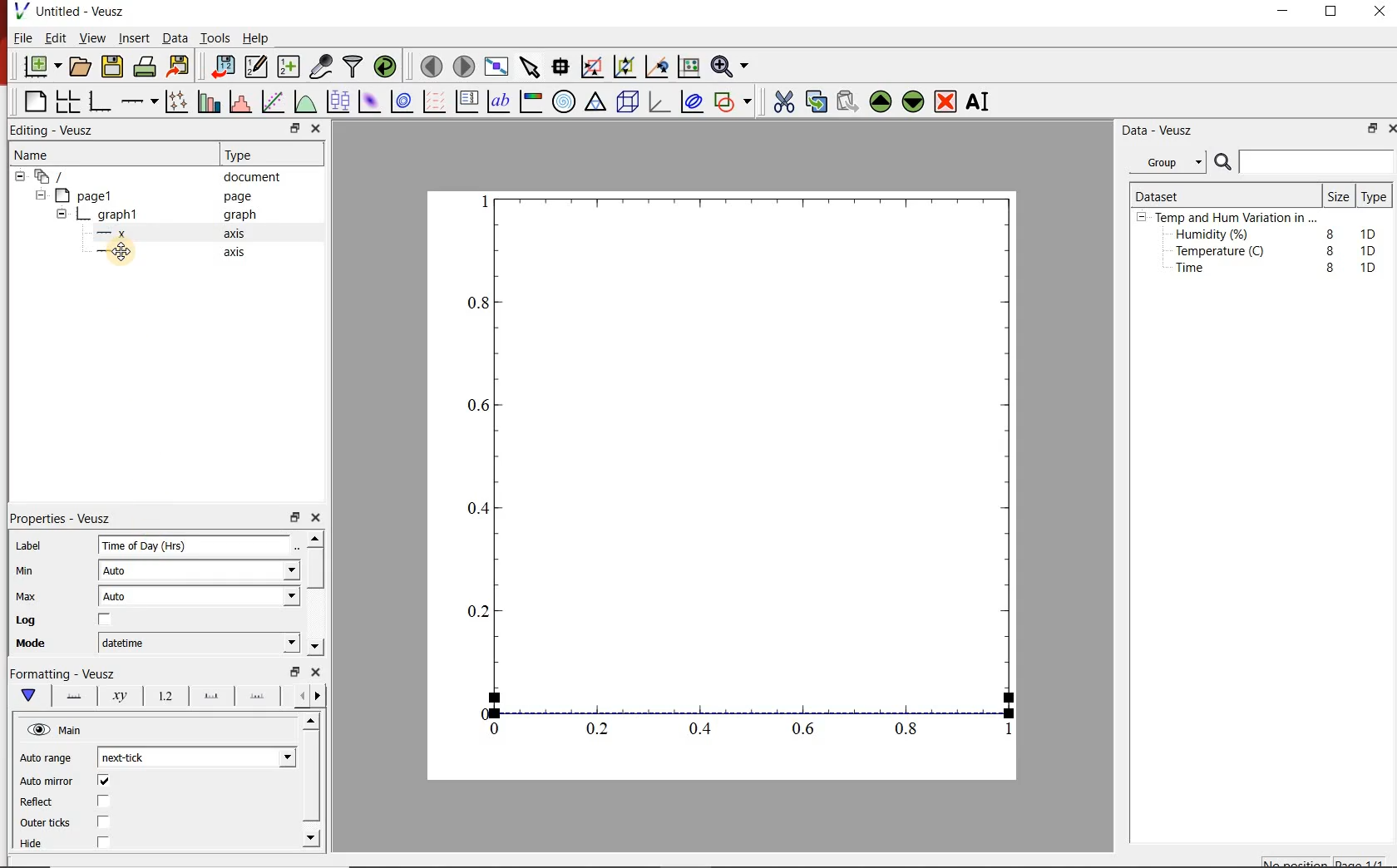  What do you see at coordinates (686, 67) in the screenshot?
I see `click to reset graph axes` at bounding box center [686, 67].